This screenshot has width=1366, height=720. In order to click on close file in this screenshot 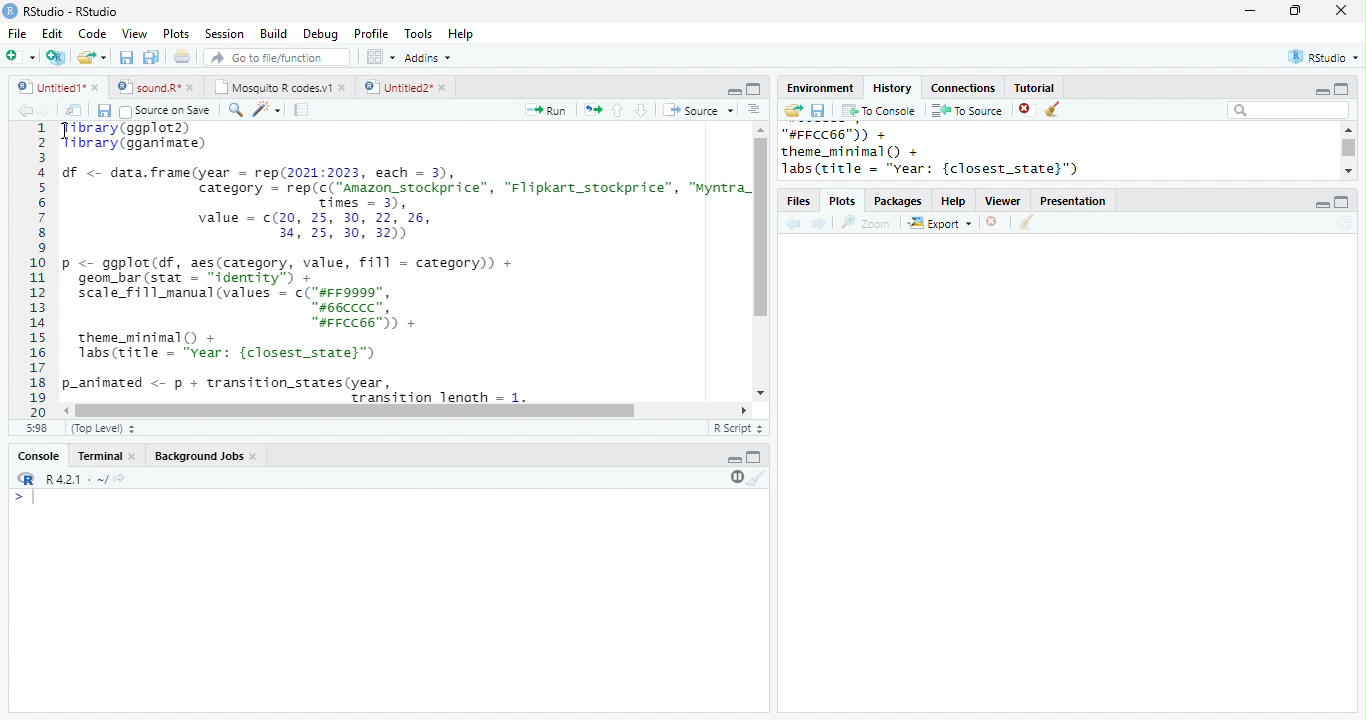, I will do `click(1027, 109)`.